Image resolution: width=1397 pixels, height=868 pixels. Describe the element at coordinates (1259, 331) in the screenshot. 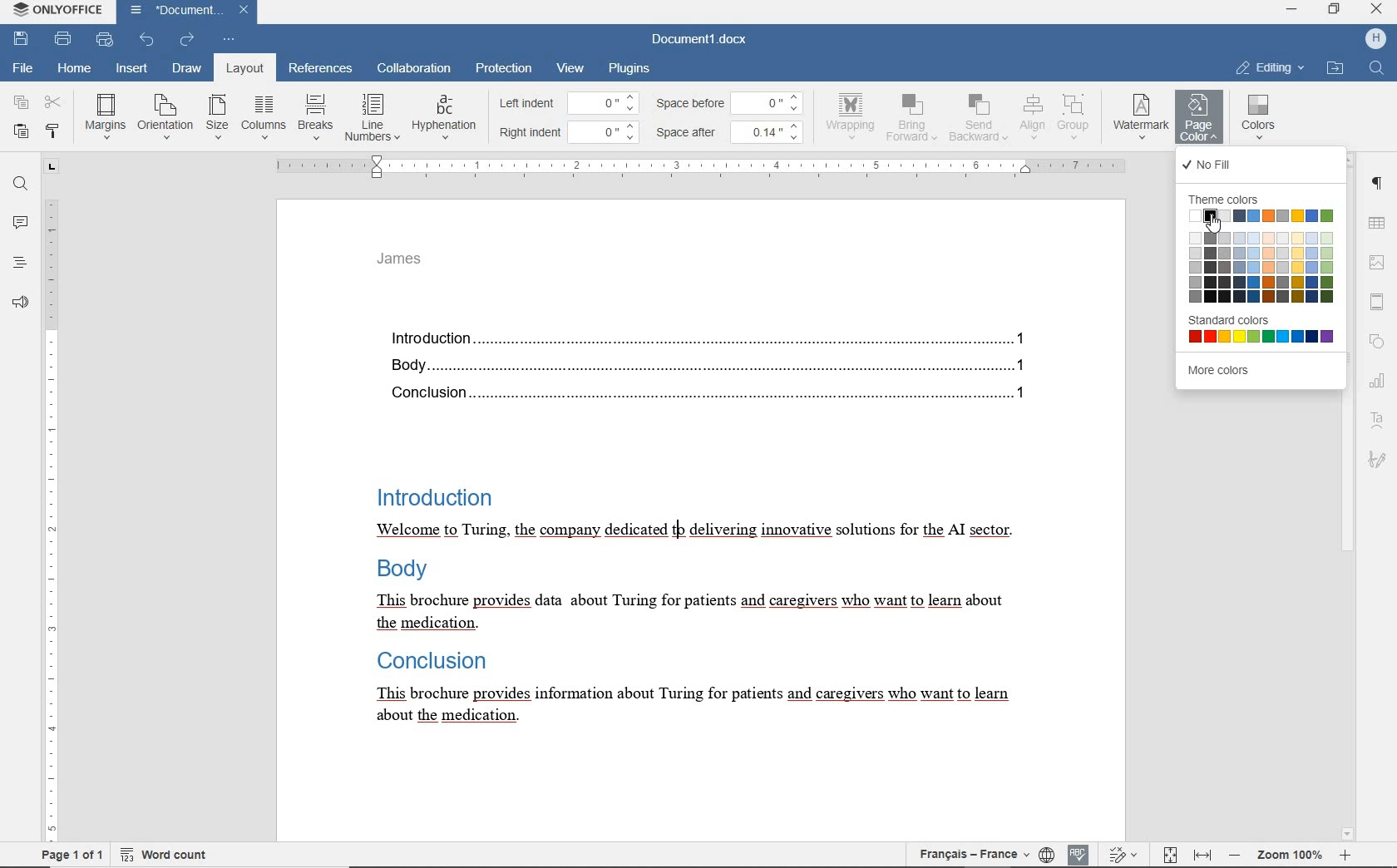

I see `standard colors` at that location.